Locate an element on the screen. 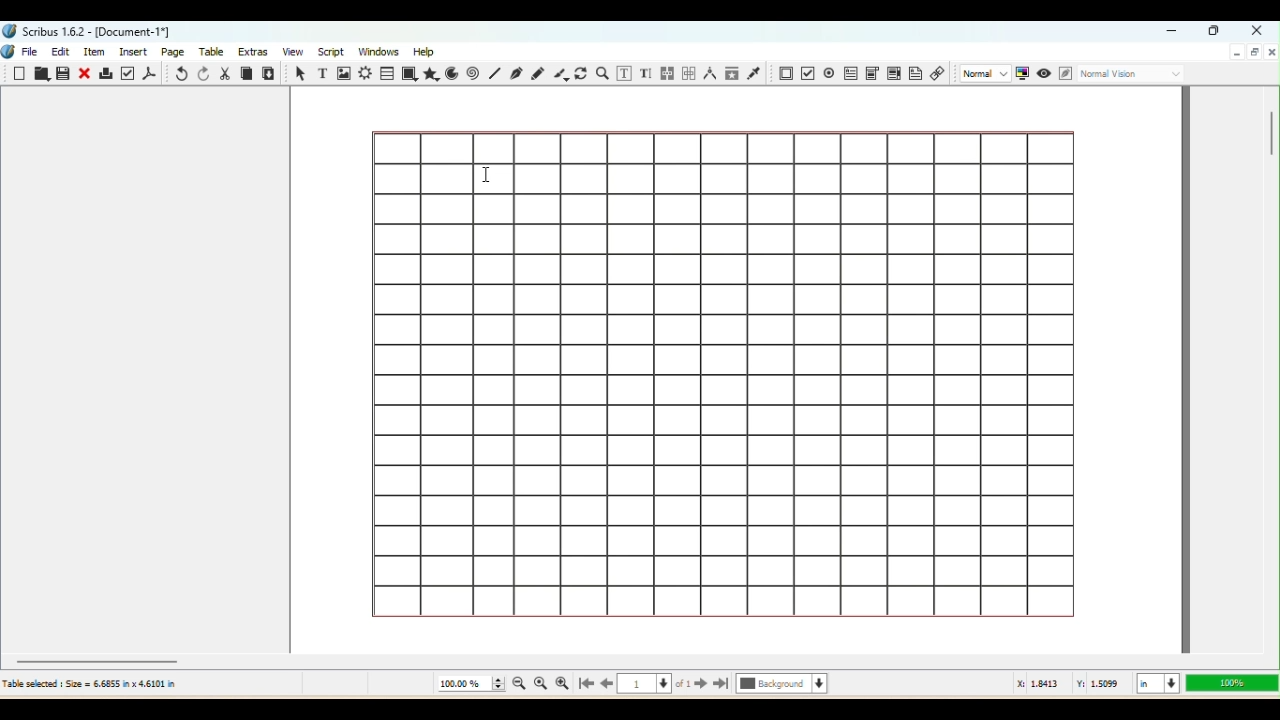 Image resolution: width=1280 pixels, height=720 pixels. Redo is located at coordinates (202, 74).